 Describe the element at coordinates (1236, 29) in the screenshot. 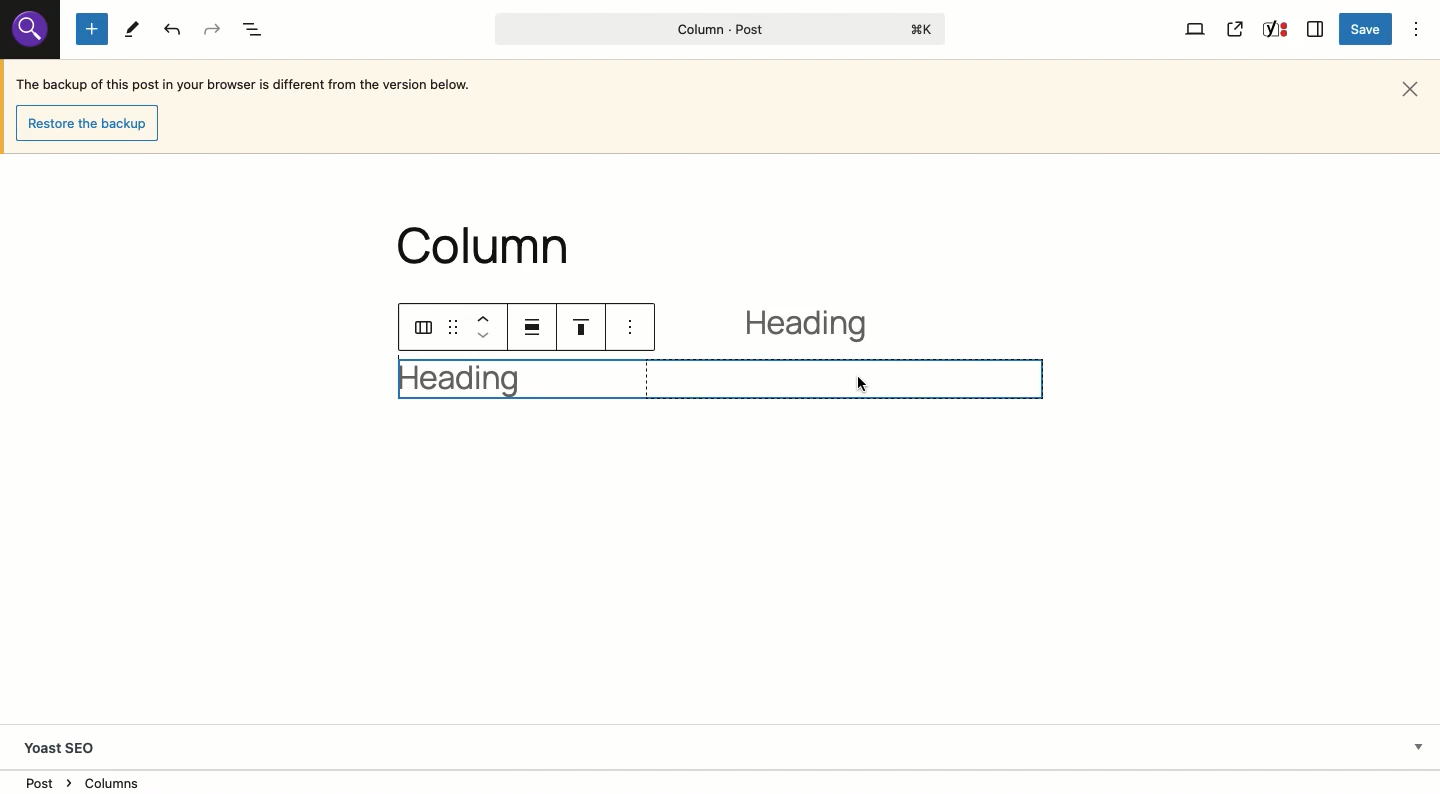

I see `View post` at that location.